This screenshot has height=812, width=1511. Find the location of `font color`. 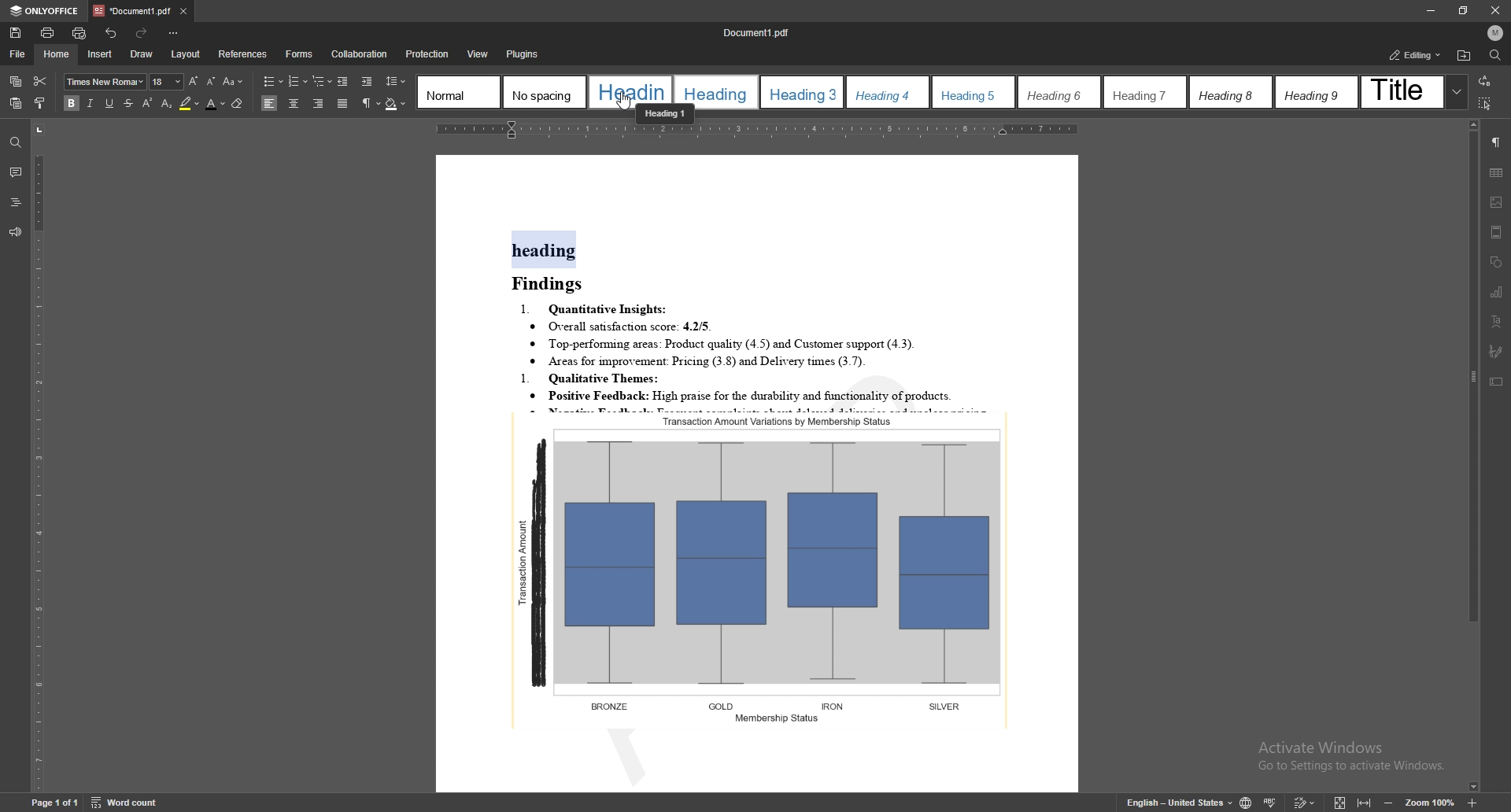

font color is located at coordinates (216, 104).